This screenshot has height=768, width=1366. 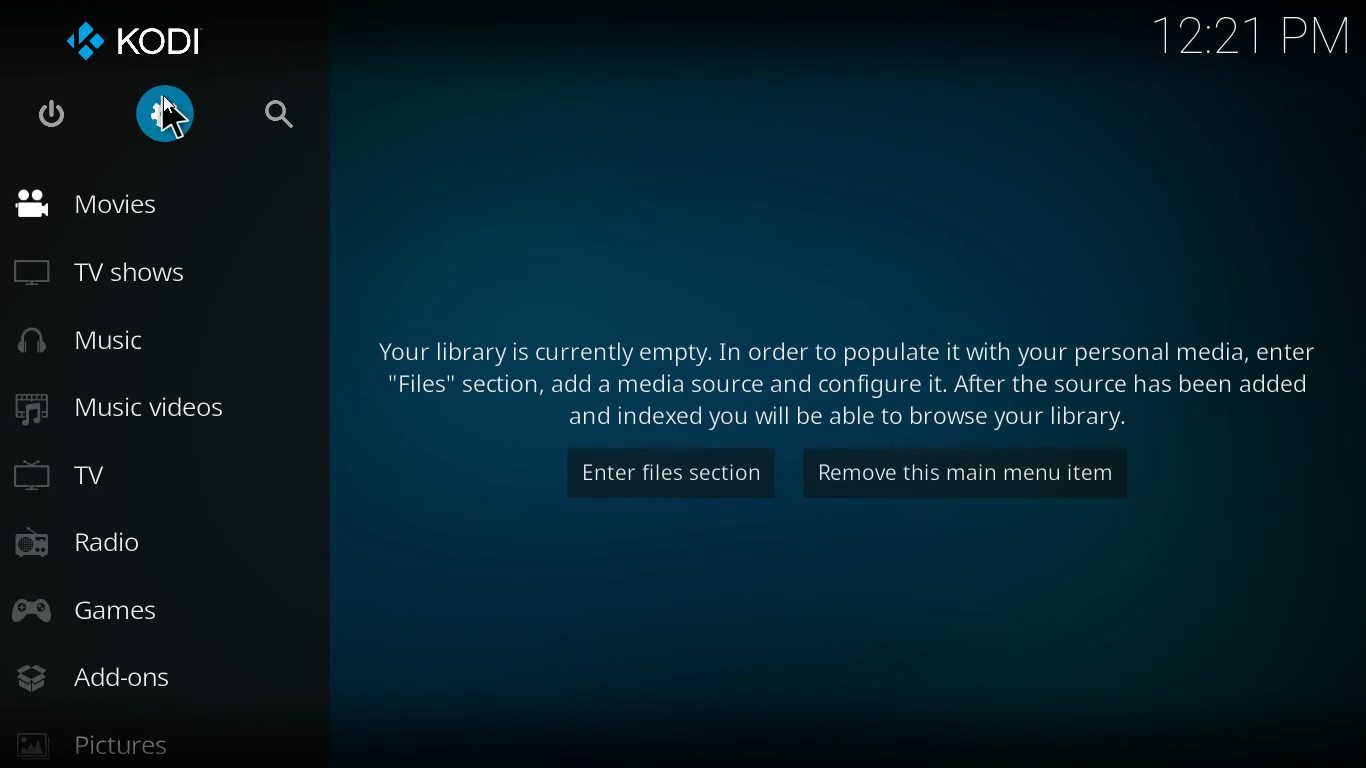 I want to click on search, so click(x=283, y=118).